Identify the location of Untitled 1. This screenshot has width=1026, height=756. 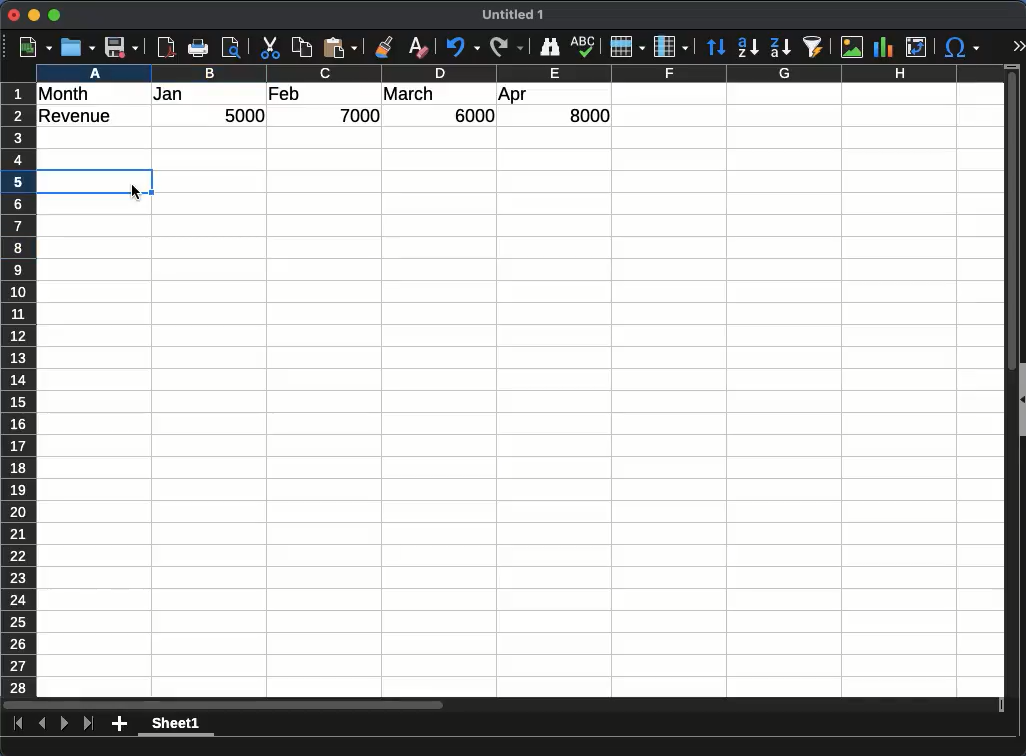
(513, 14).